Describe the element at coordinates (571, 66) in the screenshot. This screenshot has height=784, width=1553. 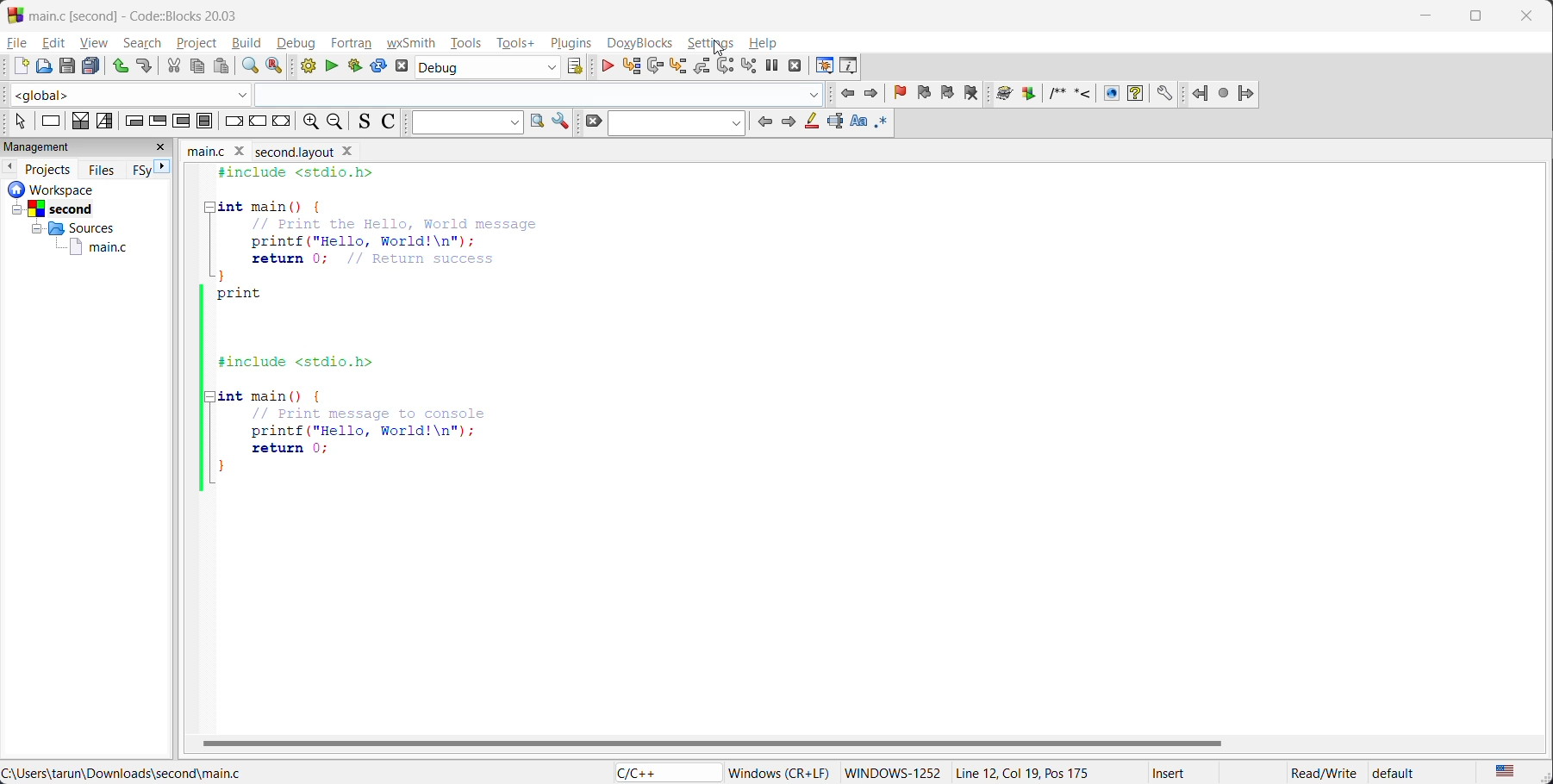
I see `show select target dialog` at that location.